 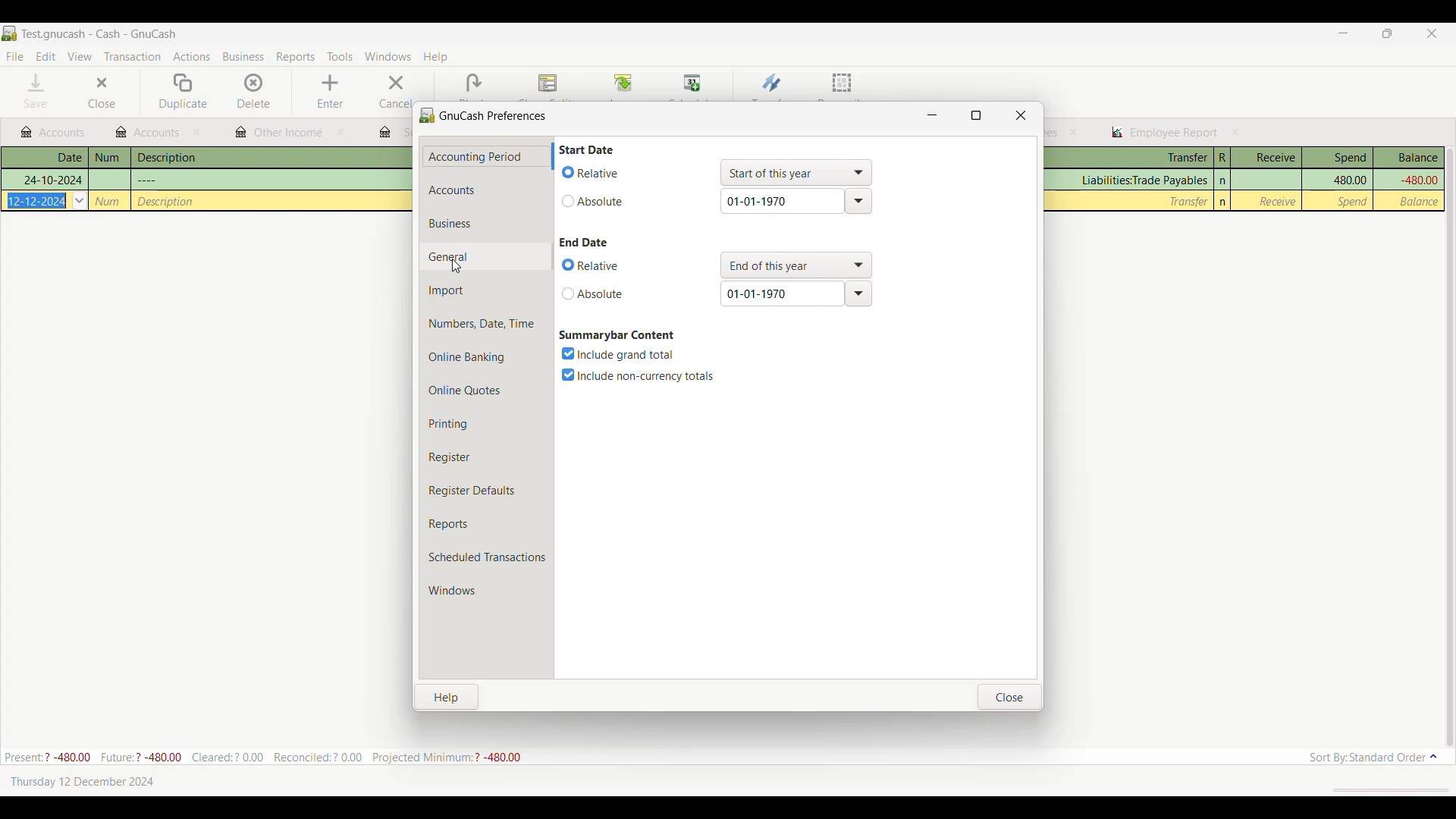 I want to click on Other budgets and reports, so click(x=1164, y=133).